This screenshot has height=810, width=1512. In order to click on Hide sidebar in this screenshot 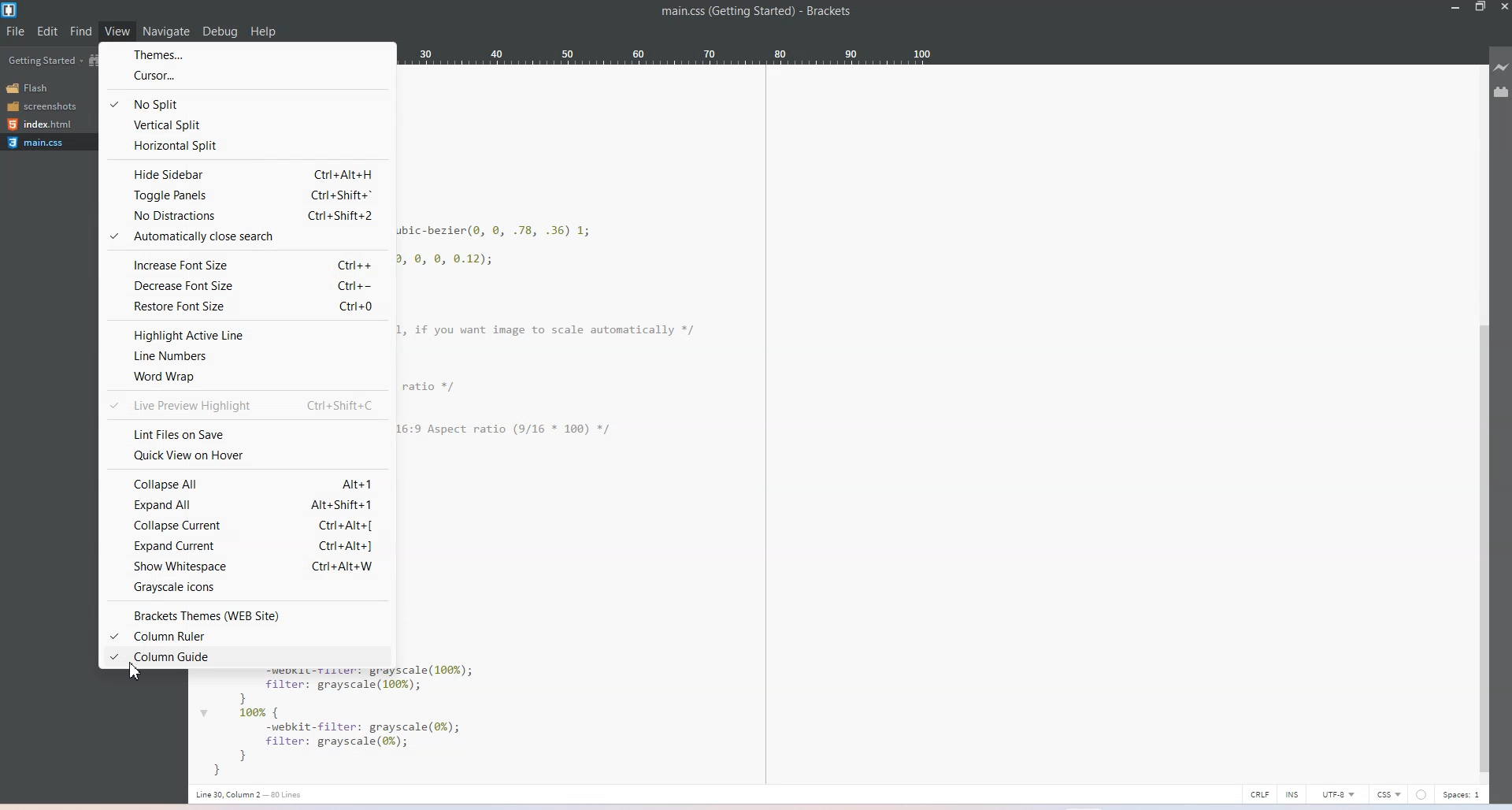, I will do `click(247, 174)`.